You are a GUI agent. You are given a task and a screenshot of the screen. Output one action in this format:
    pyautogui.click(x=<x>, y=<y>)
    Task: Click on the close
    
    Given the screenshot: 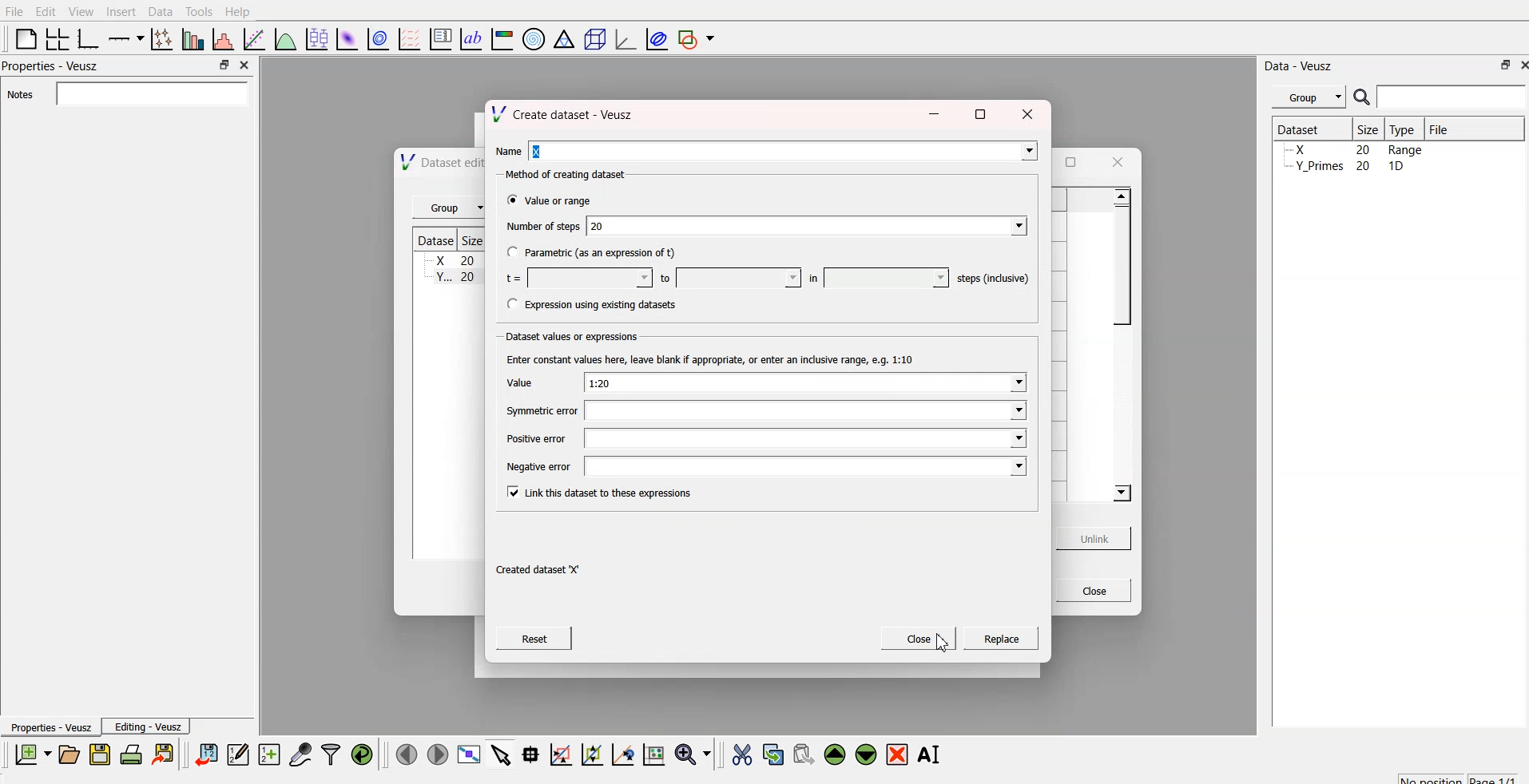 What is the action you would take?
    pyautogui.click(x=1026, y=116)
    